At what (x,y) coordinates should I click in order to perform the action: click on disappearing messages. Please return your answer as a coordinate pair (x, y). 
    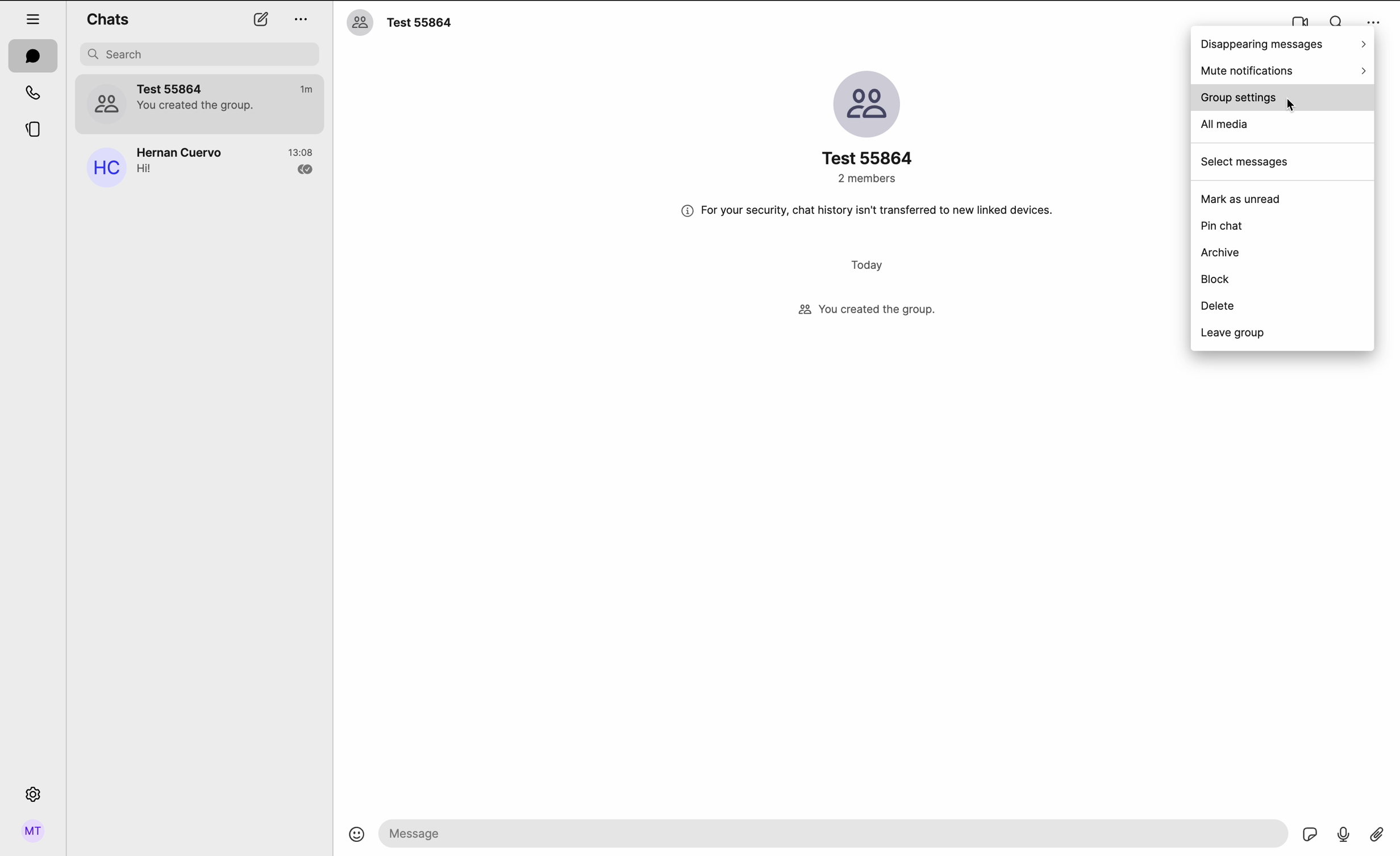
    Looking at the image, I should click on (1282, 44).